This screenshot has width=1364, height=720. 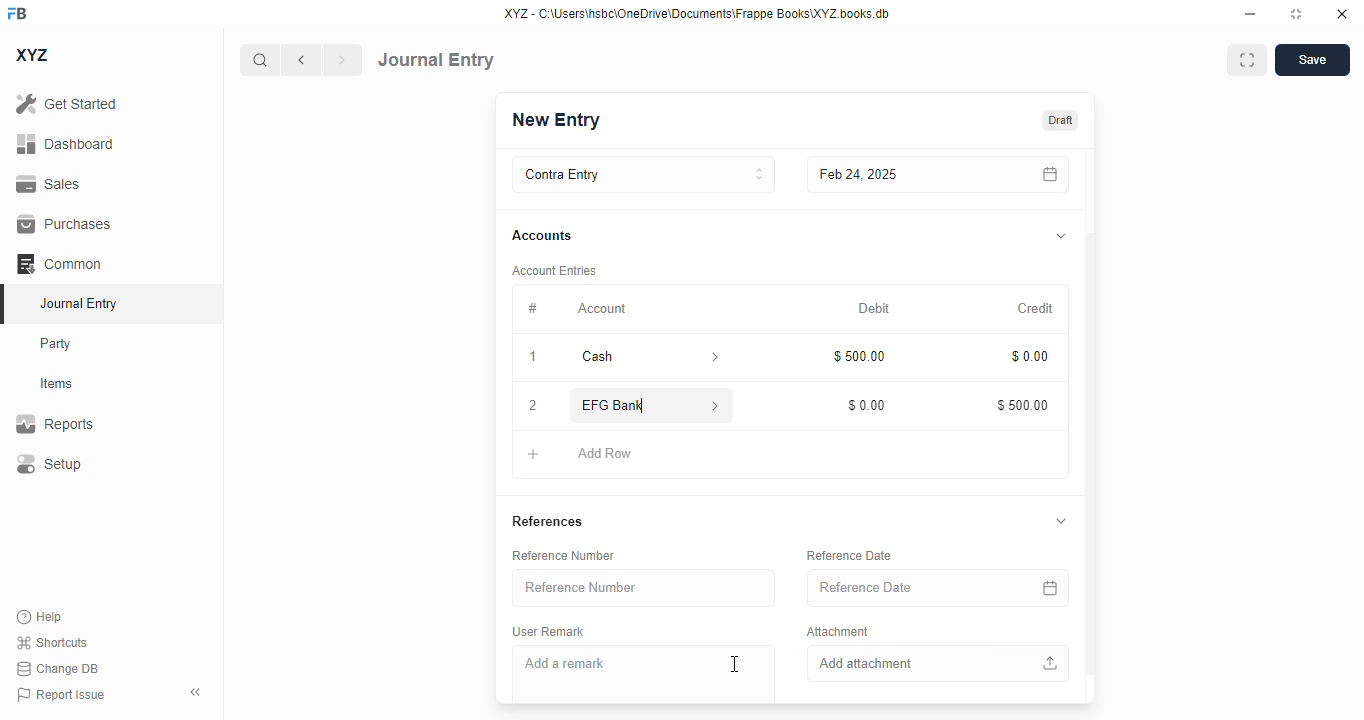 What do you see at coordinates (620, 405) in the screenshot?
I see `EFG Bank` at bounding box center [620, 405].